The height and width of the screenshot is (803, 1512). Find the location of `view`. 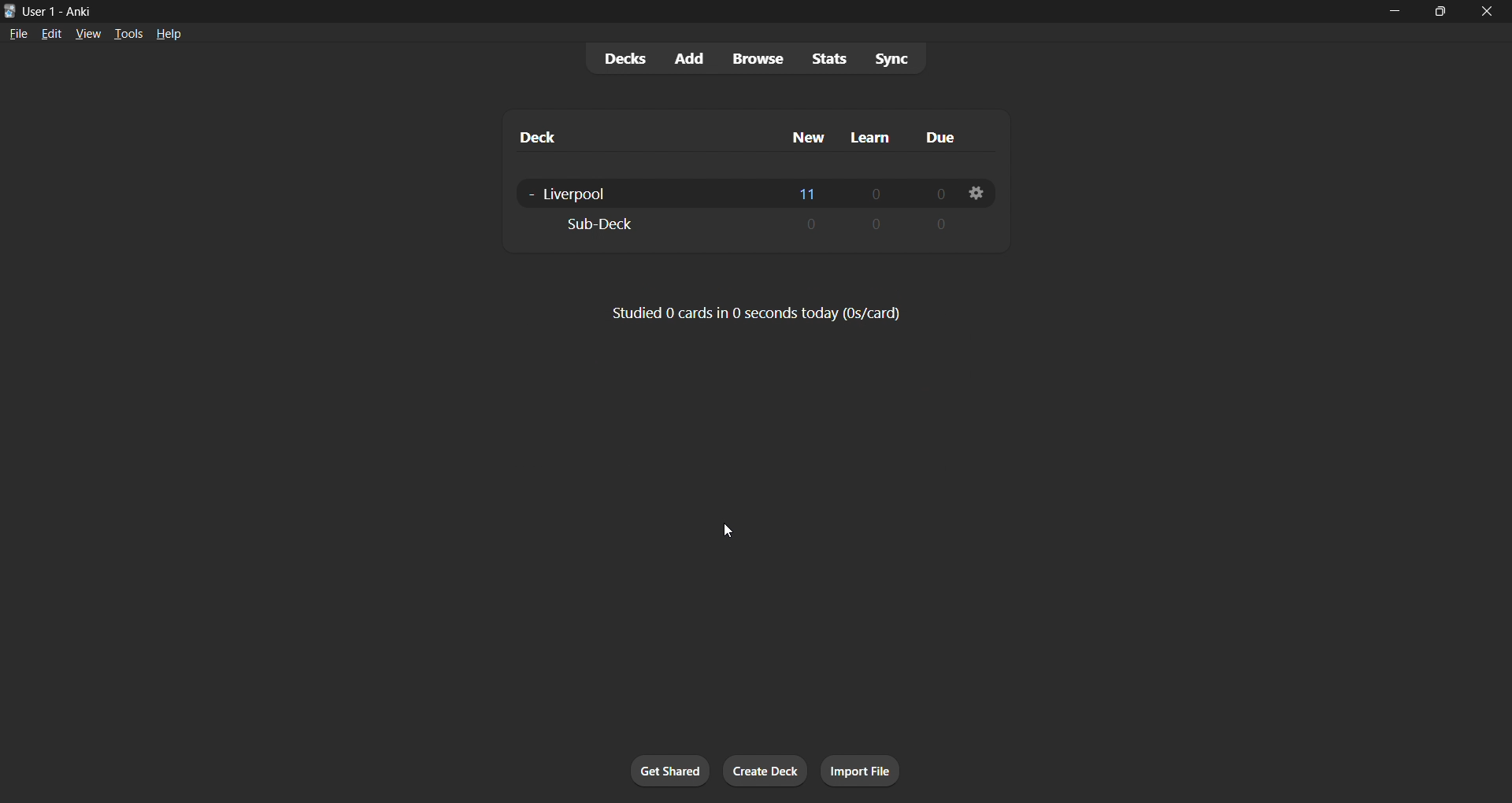

view is located at coordinates (83, 33).